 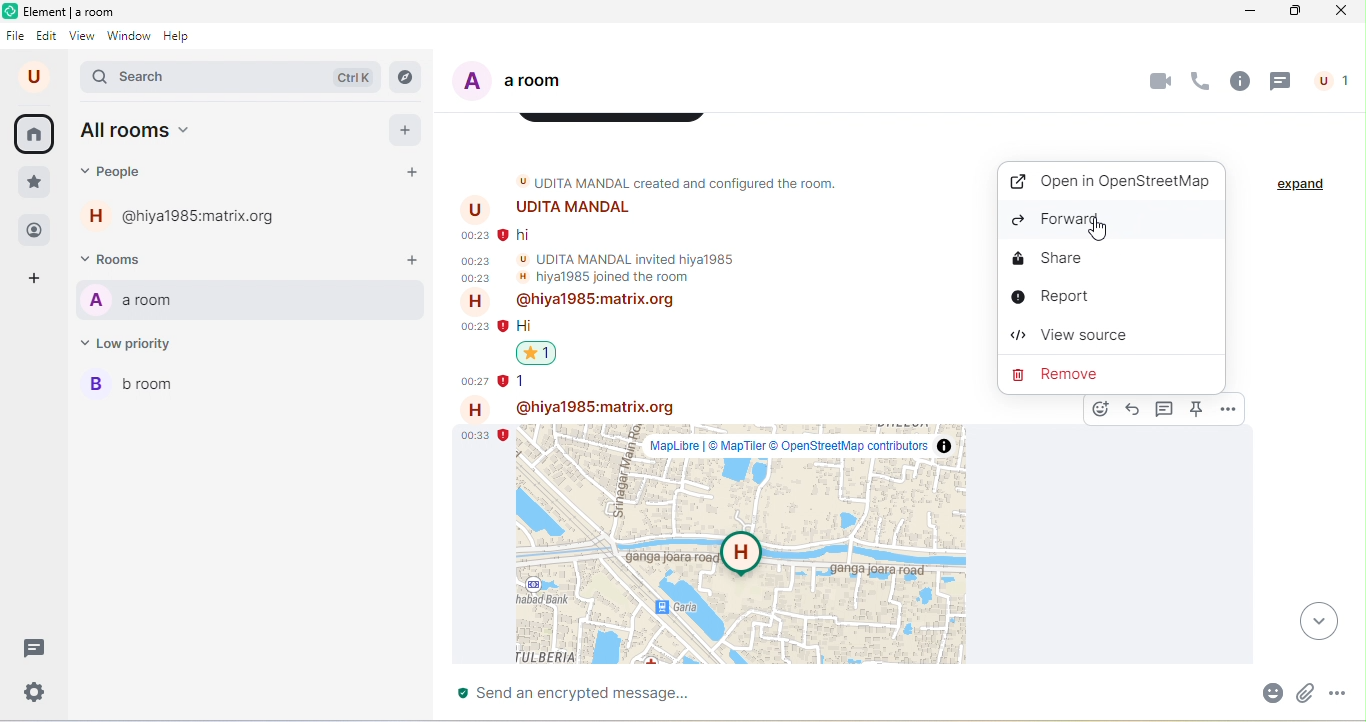 What do you see at coordinates (1339, 690) in the screenshot?
I see `more options` at bounding box center [1339, 690].